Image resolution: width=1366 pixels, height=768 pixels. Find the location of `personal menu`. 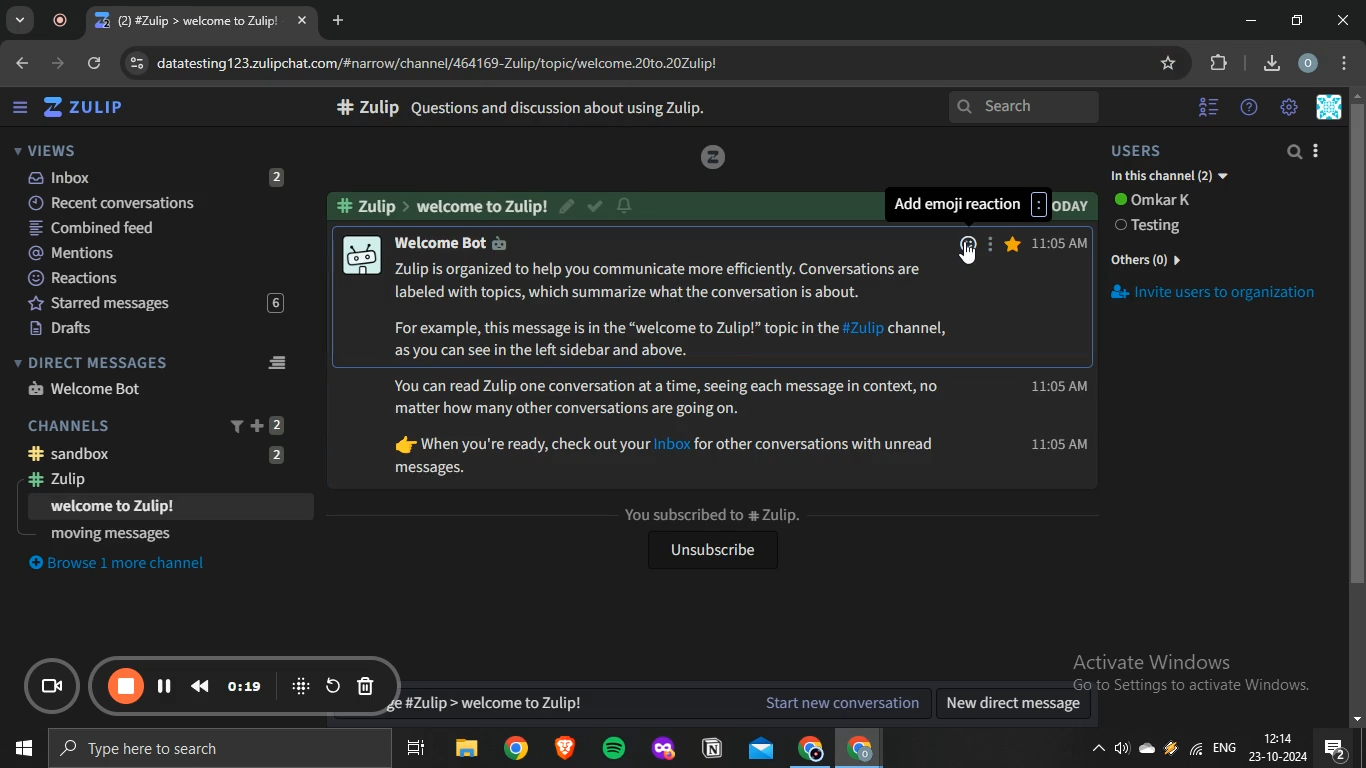

personal menu is located at coordinates (1332, 108).